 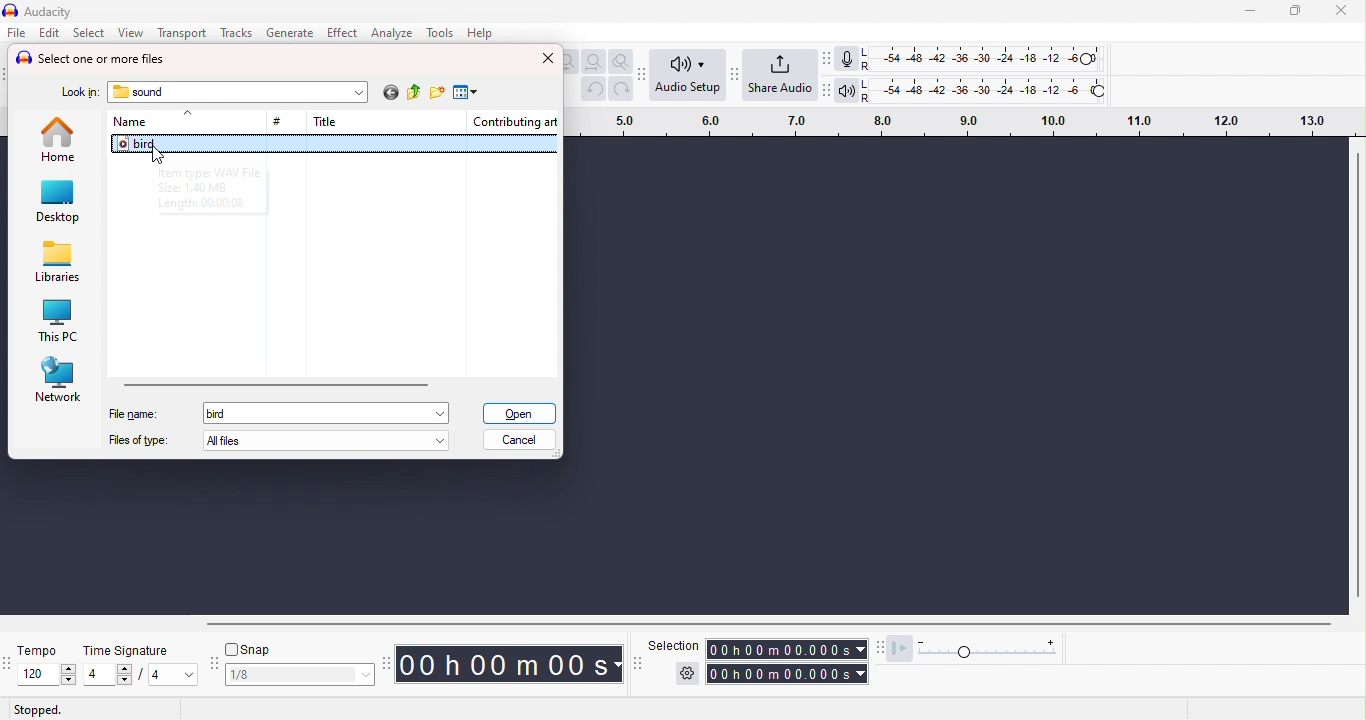 I want to click on redo, so click(x=622, y=89).